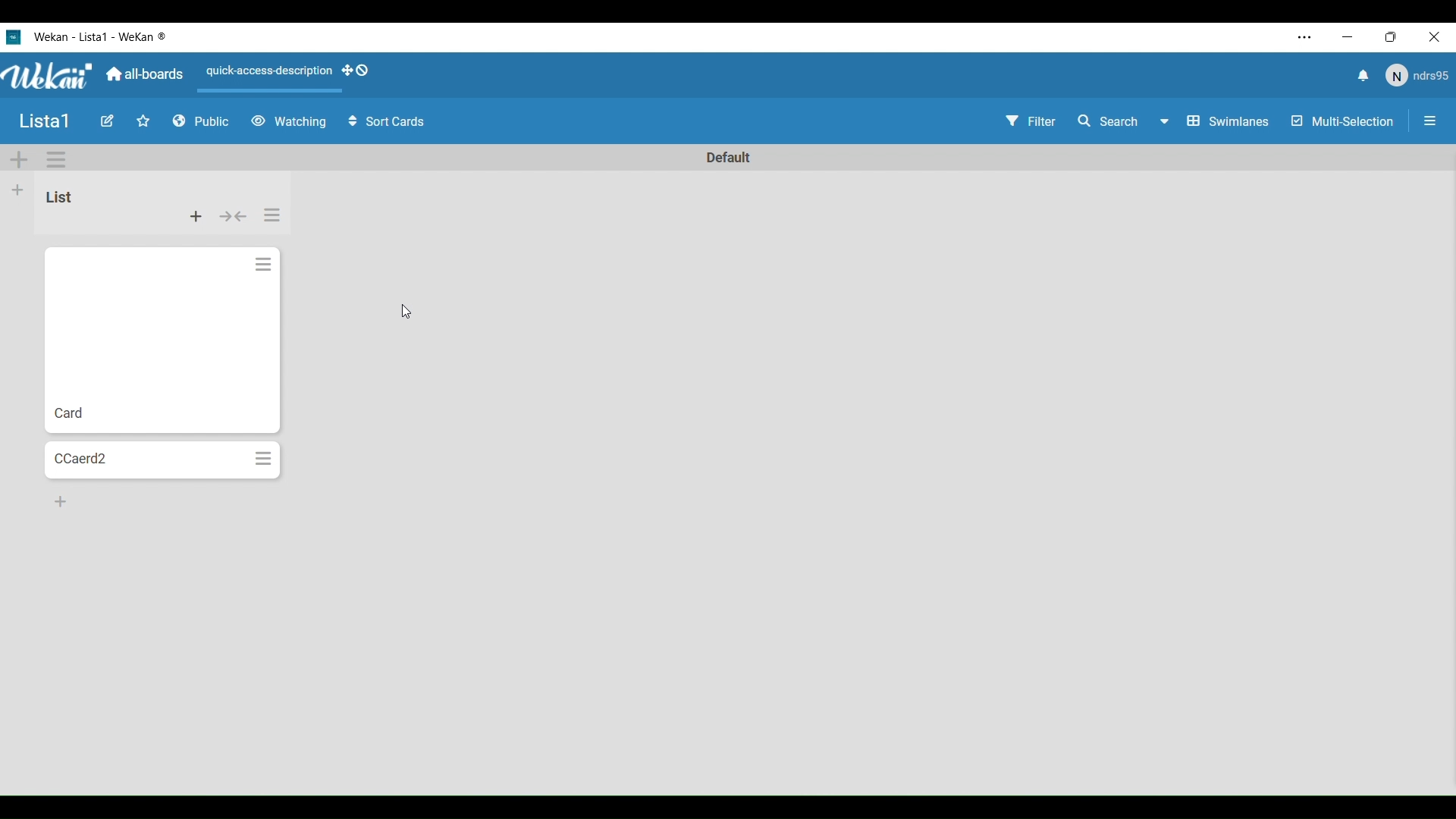 The width and height of the screenshot is (1456, 819). What do you see at coordinates (143, 121) in the screenshot?
I see `Favorites` at bounding box center [143, 121].